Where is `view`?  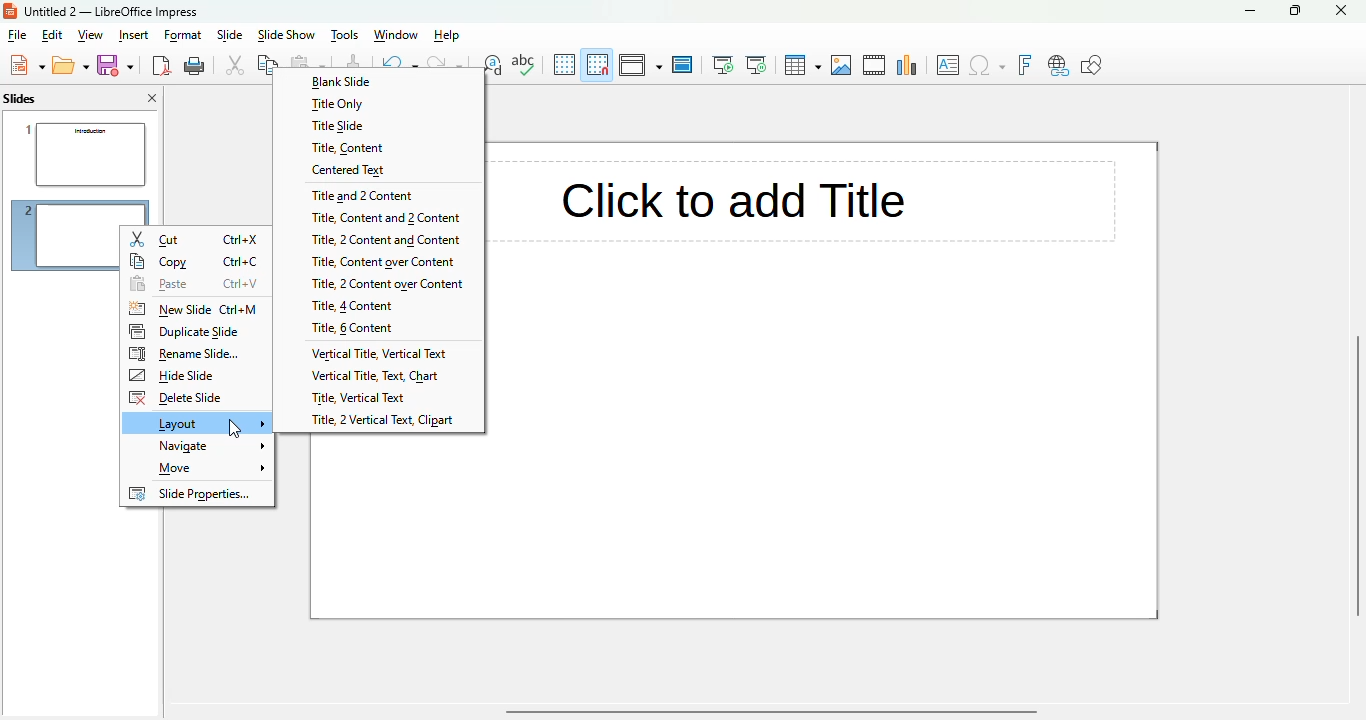
view is located at coordinates (90, 35).